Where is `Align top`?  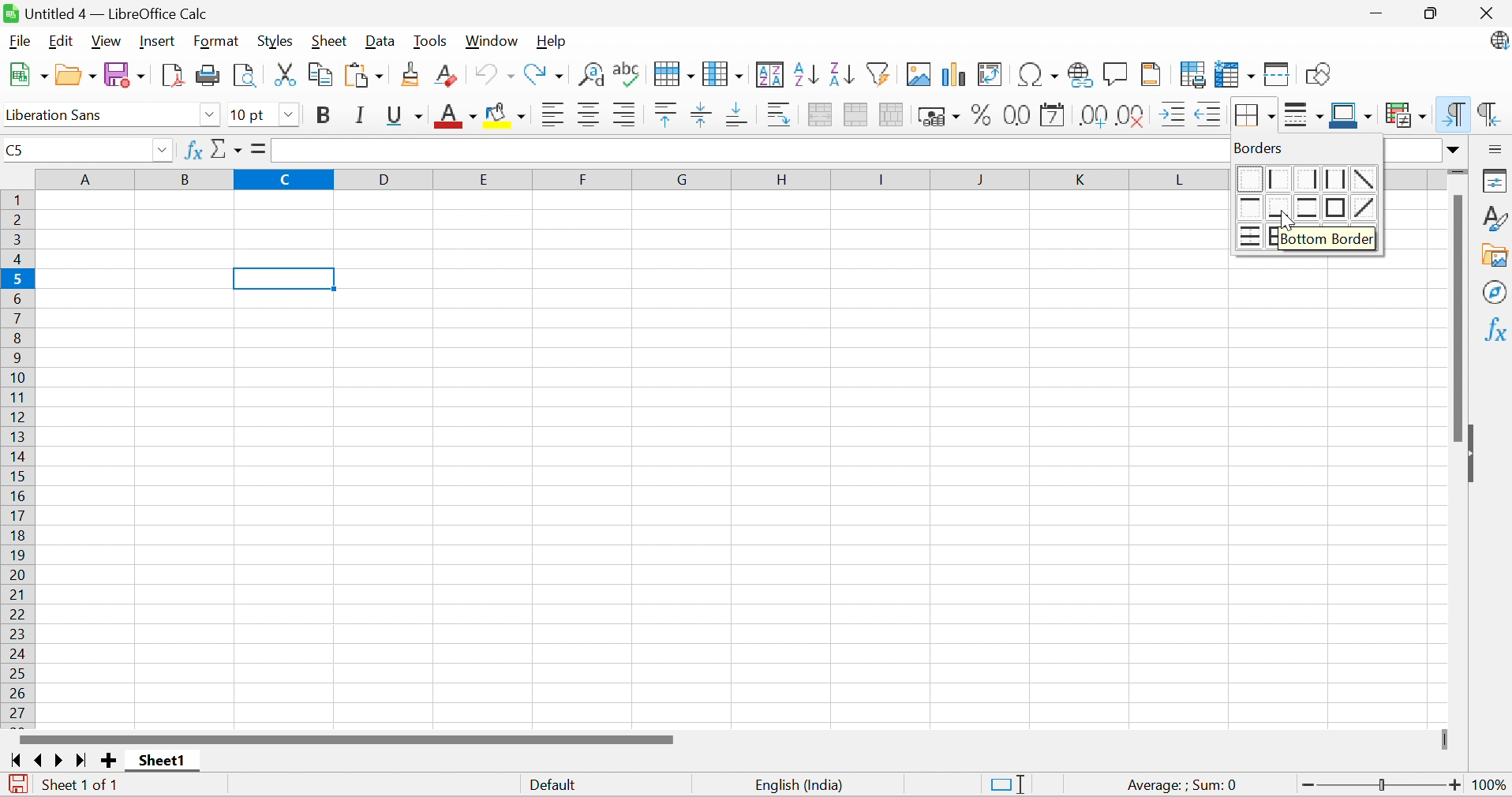 Align top is located at coordinates (666, 115).